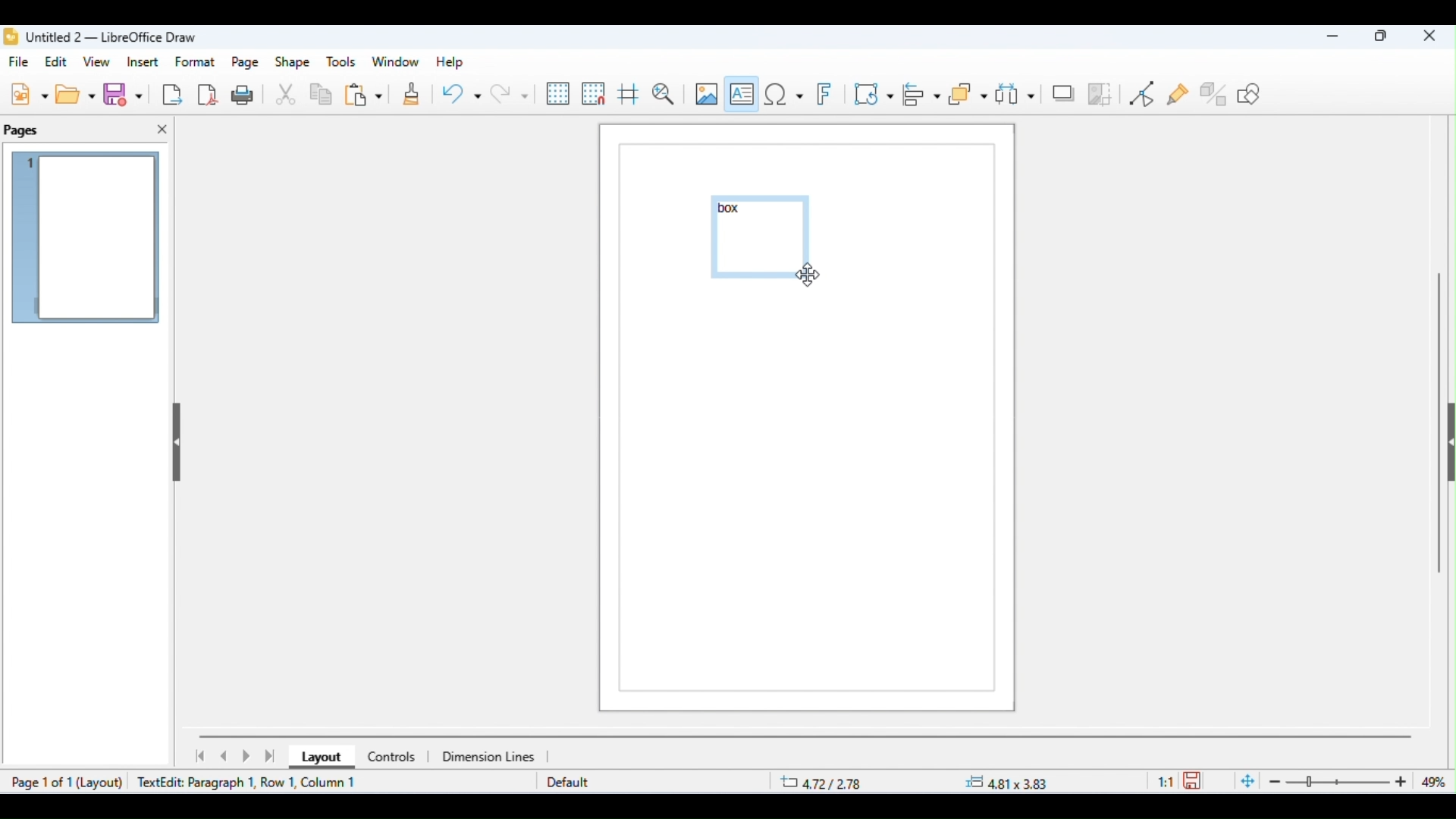 Image resolution: width=1456 pixels, height=819 pixels. Describe the element at coordinates (87, 240) in the screenshot. I see `current page ` at that location.